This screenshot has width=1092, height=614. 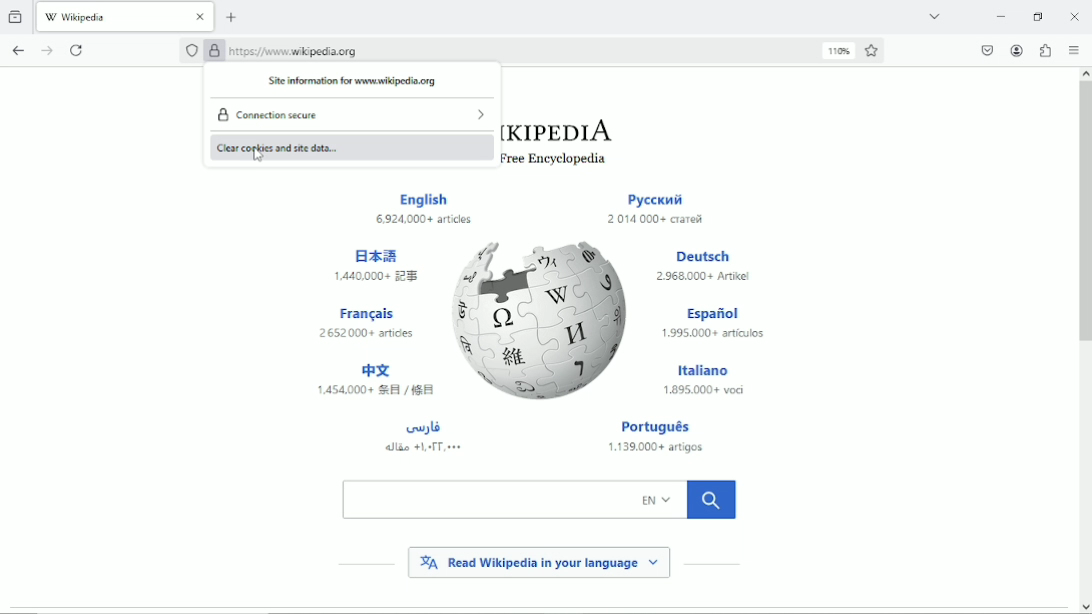 What do you see at coordinates (1016, 50) in the screenshot?
I see `account` at bounding box center [1016, 50].